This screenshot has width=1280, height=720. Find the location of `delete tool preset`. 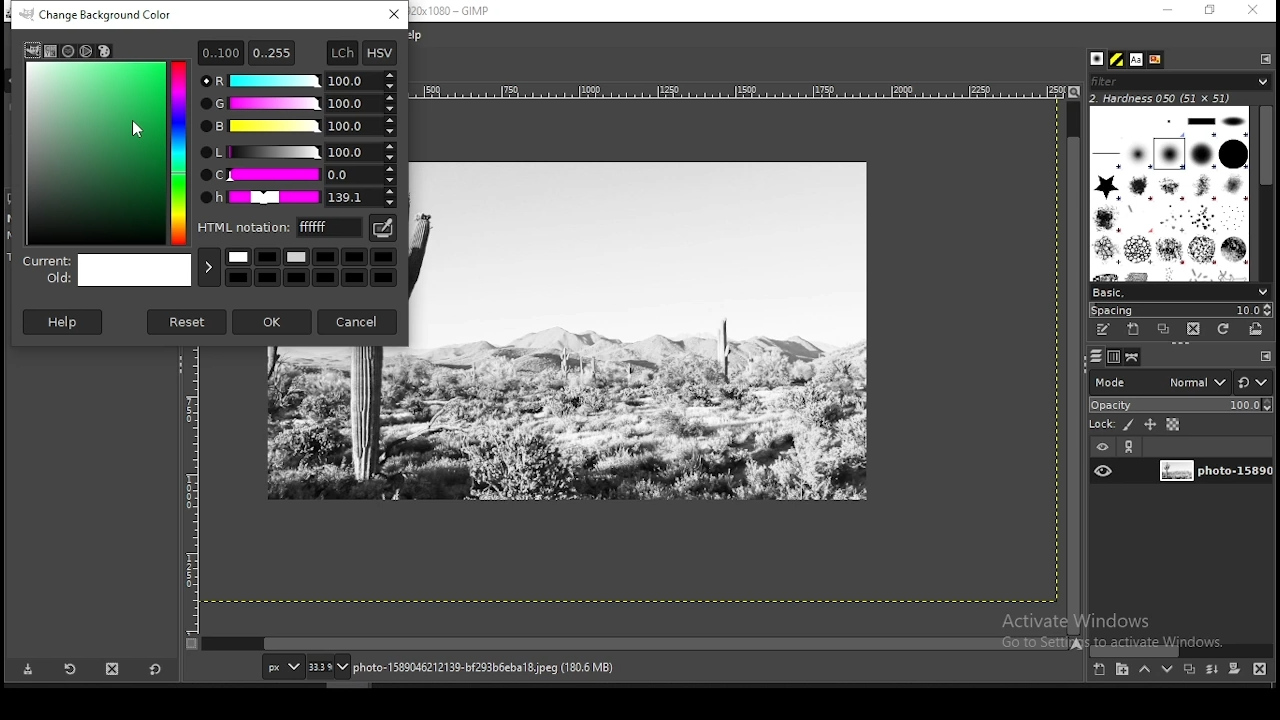

delete tool preset is located at coordinates (112, 669).